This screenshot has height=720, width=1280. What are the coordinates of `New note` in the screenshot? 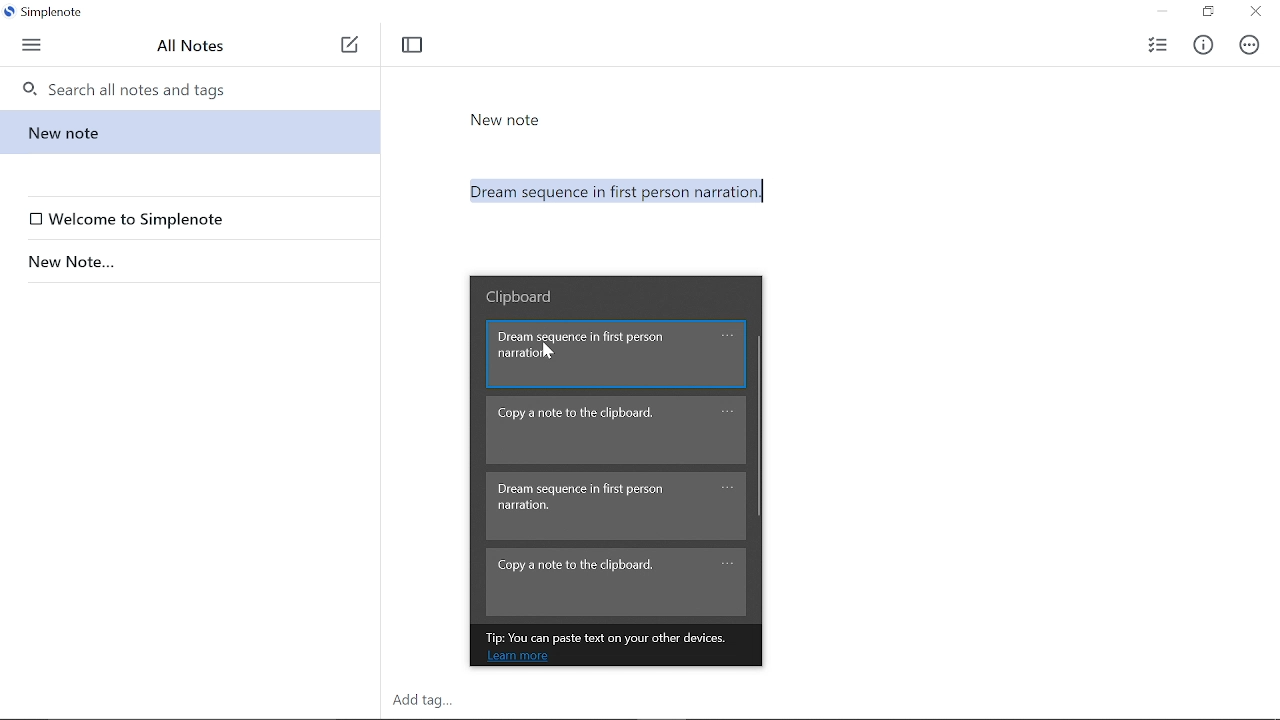 It's located at (187, 132).